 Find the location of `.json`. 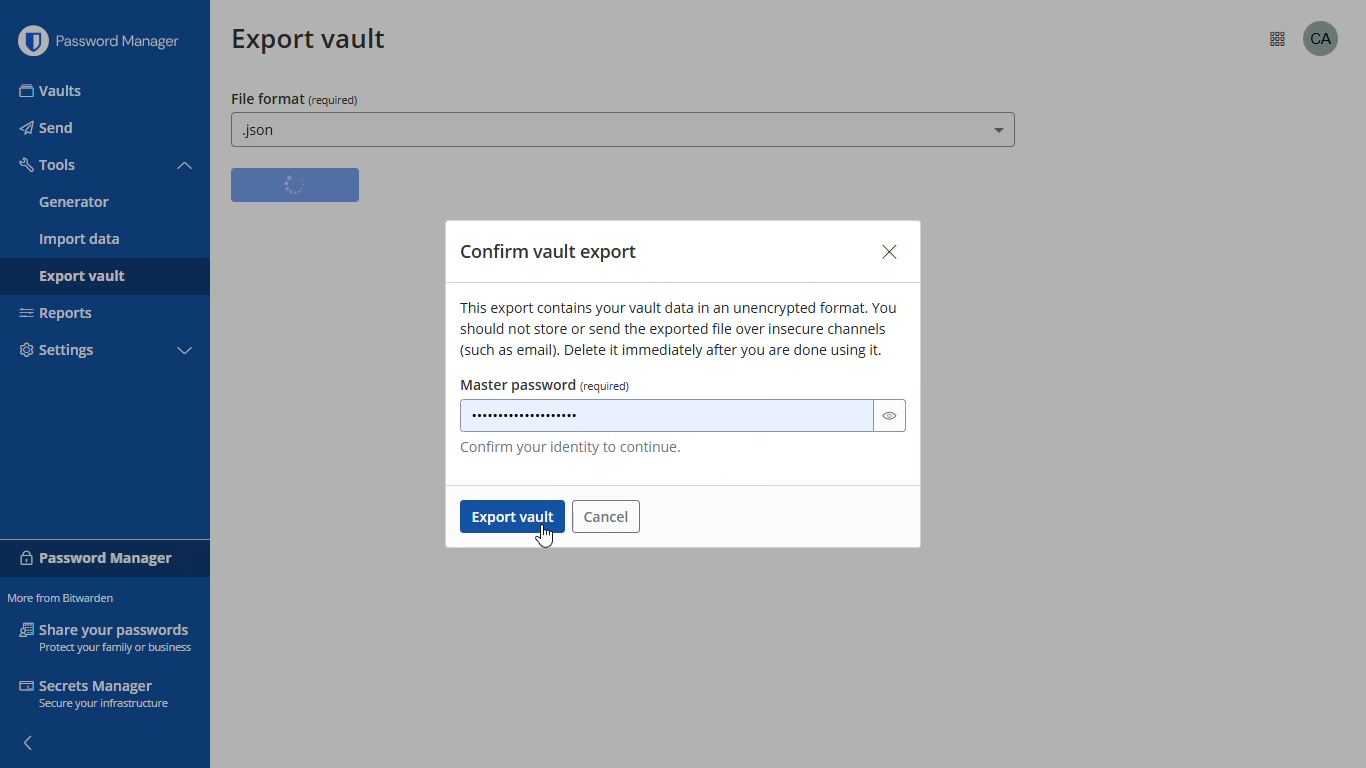

.json is located at coordinates (624, 132).